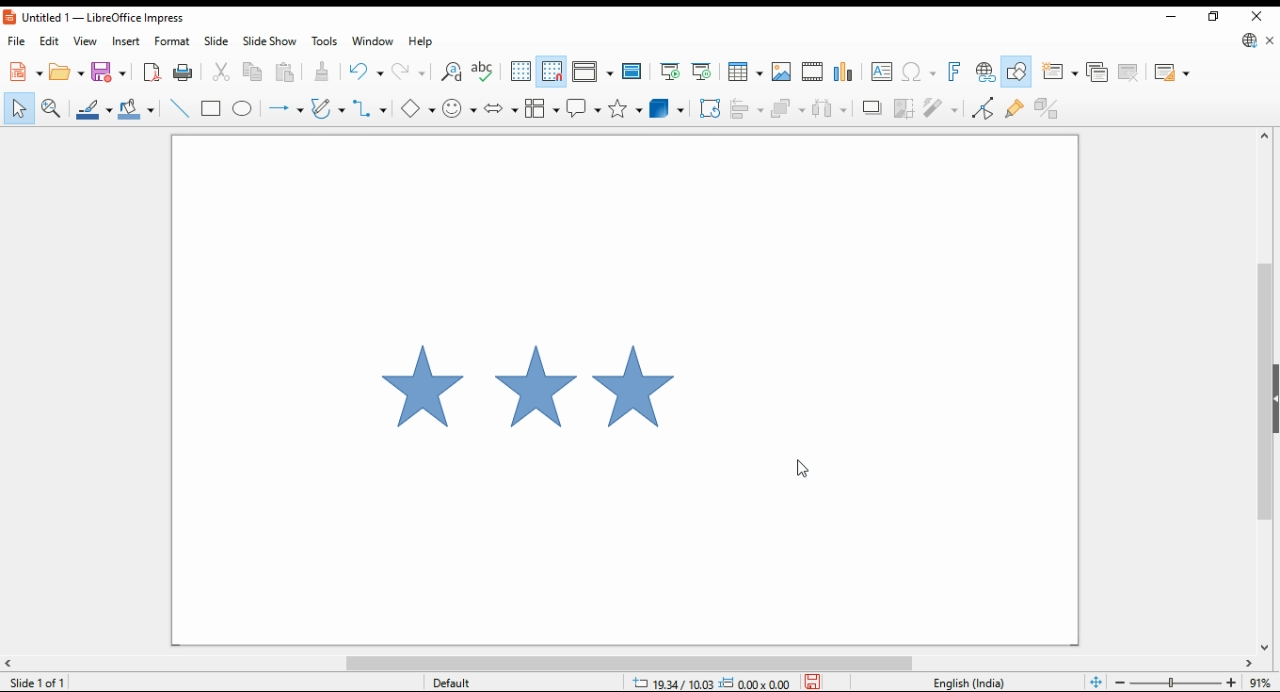 This screenshot has width=1280, height=692. Describe the element at coordinates (1015, 71) in the screenshot. I see `show draw functions` at that location.